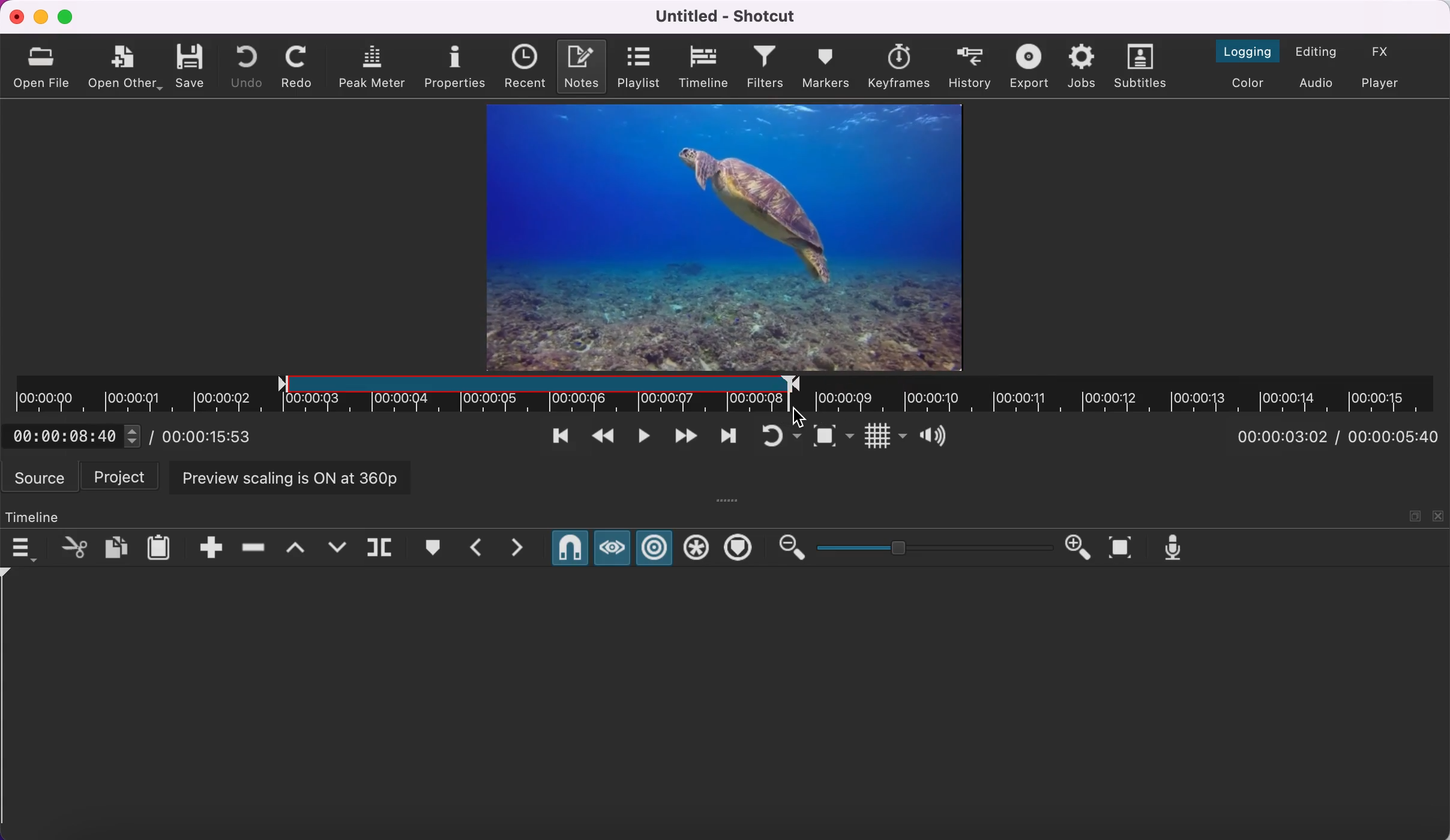  What do you see at coordinates (1397, 438) in the screenshot?
I see `total duration` at bounding box center [1397, 438].